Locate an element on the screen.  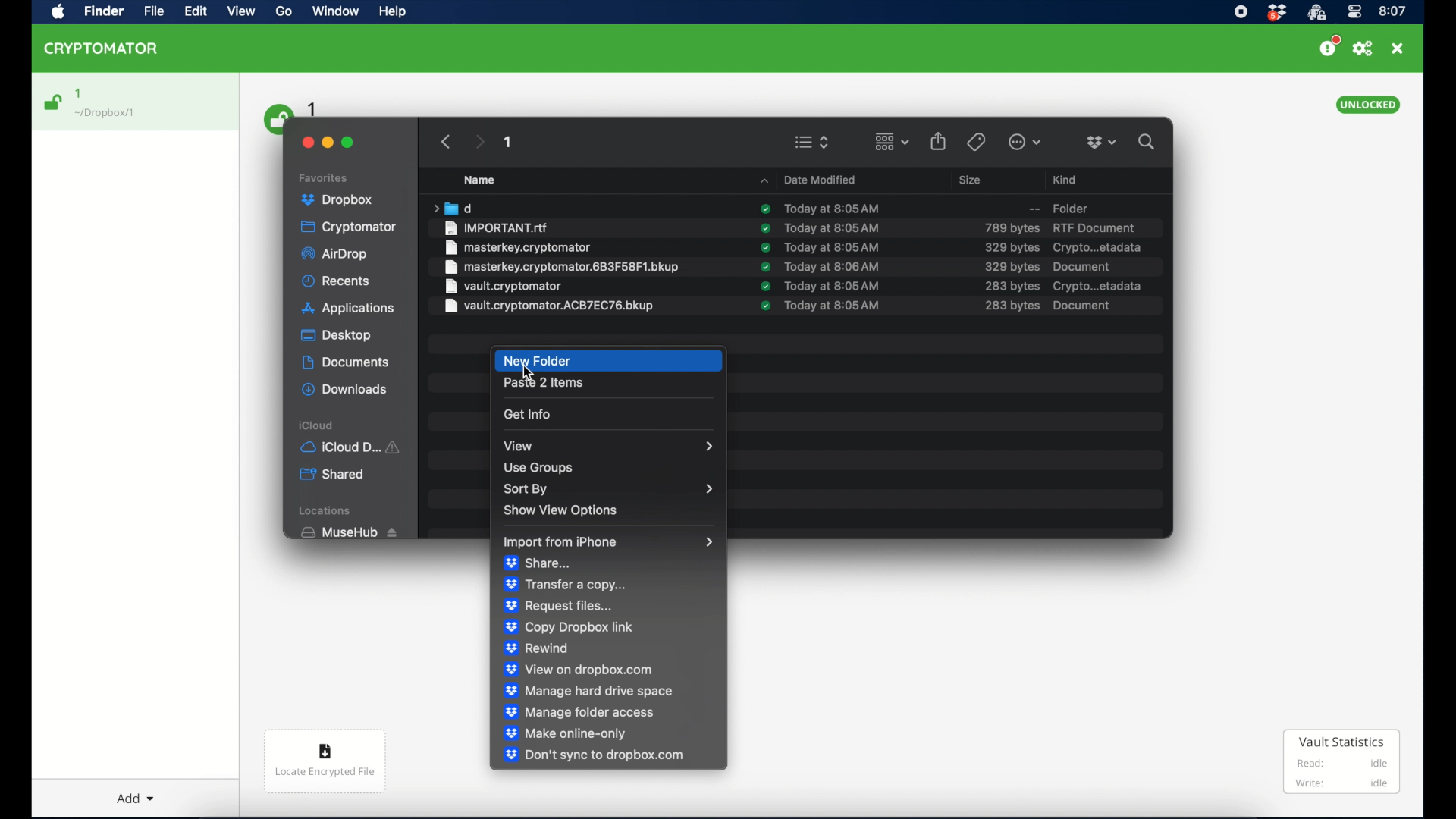
make online only is located at coordinates (566, 733).